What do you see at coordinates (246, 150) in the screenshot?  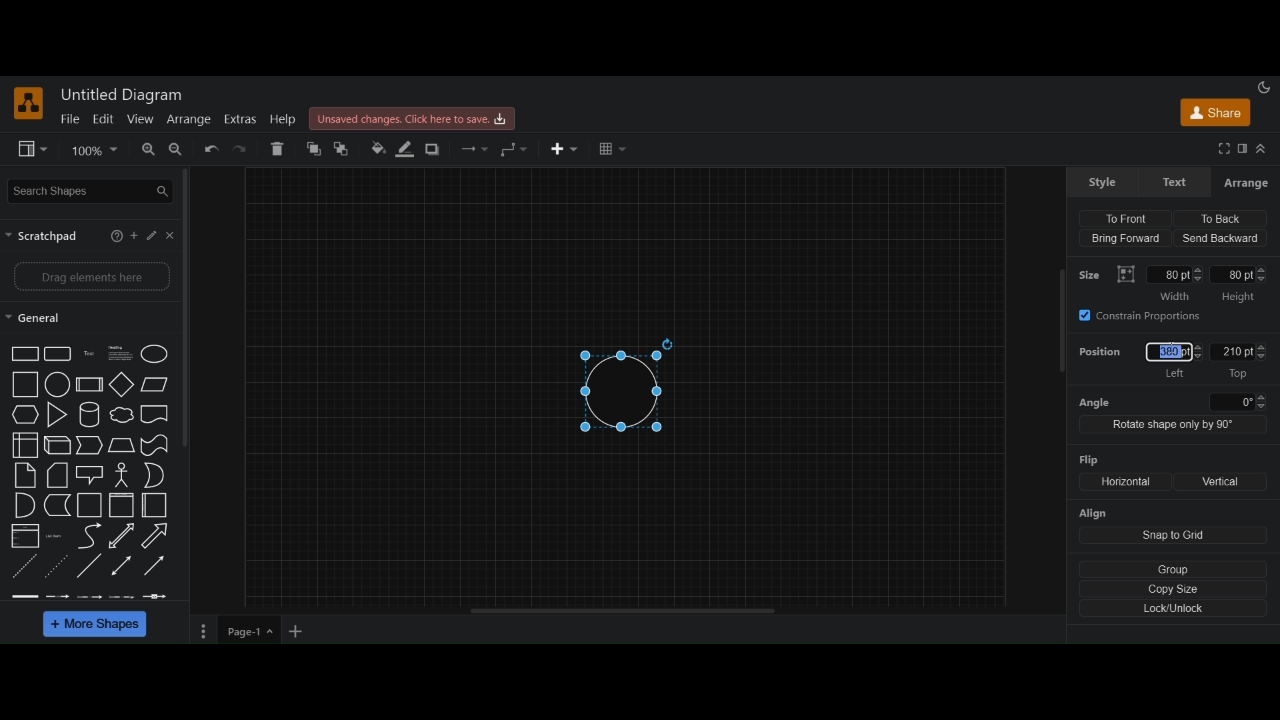 I see `redo` at bounding box center [246, 150].